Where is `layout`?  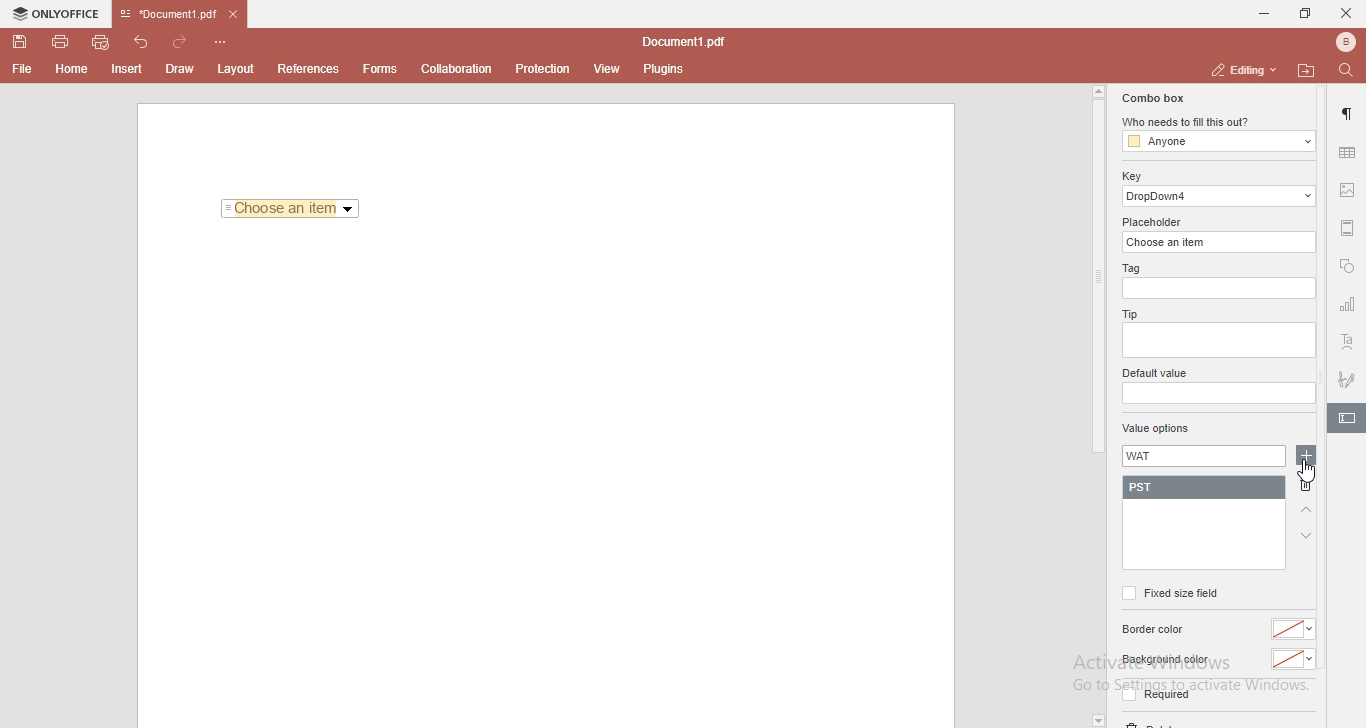
layout is located at coordinates (239, 69).